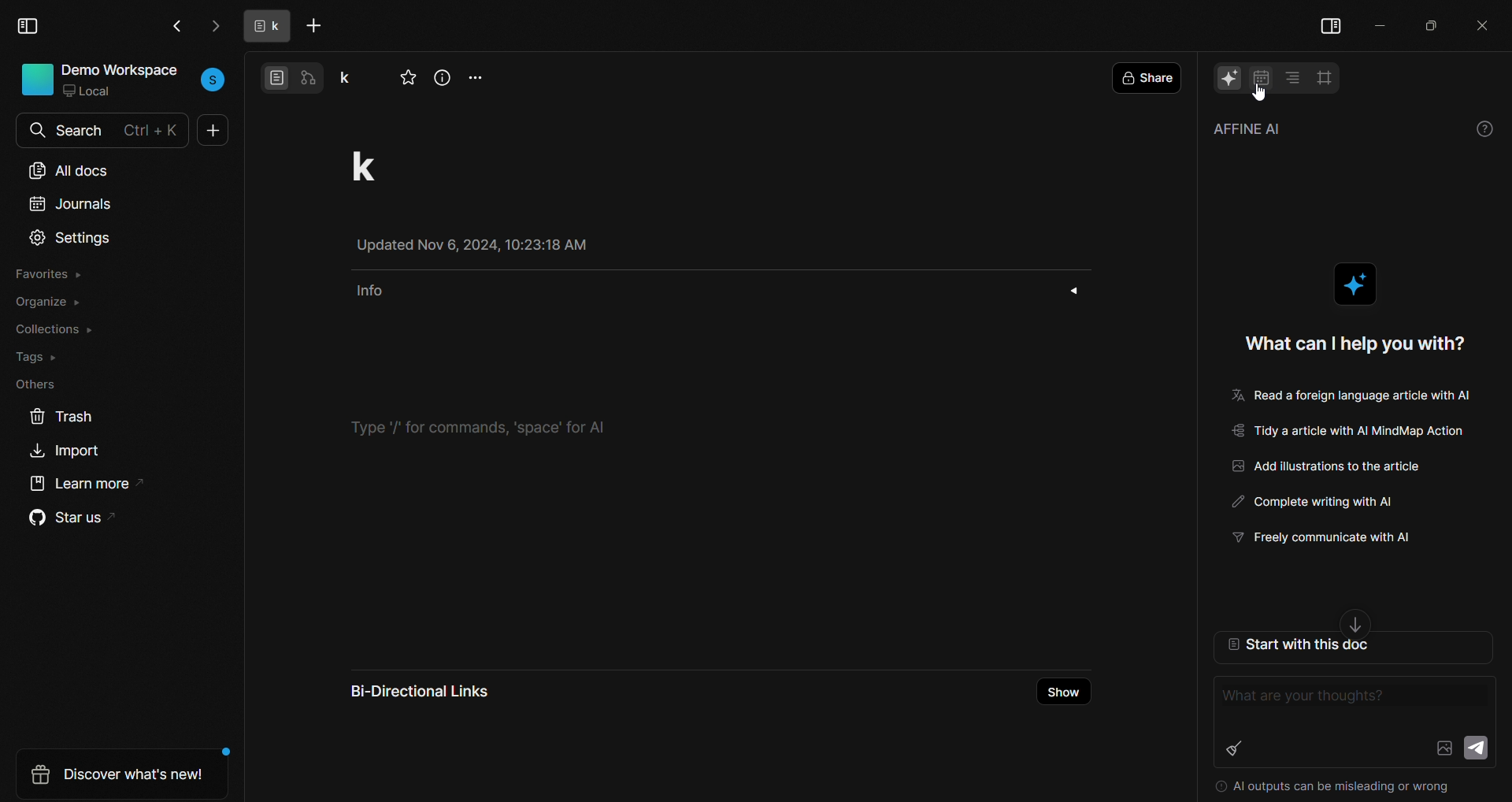 Image resolution: width=1512 pixels, height=802 pixels. What do you see at coordinates (382, 165) in the screenshot?
I see `project title` at bounding box center [382, 165].